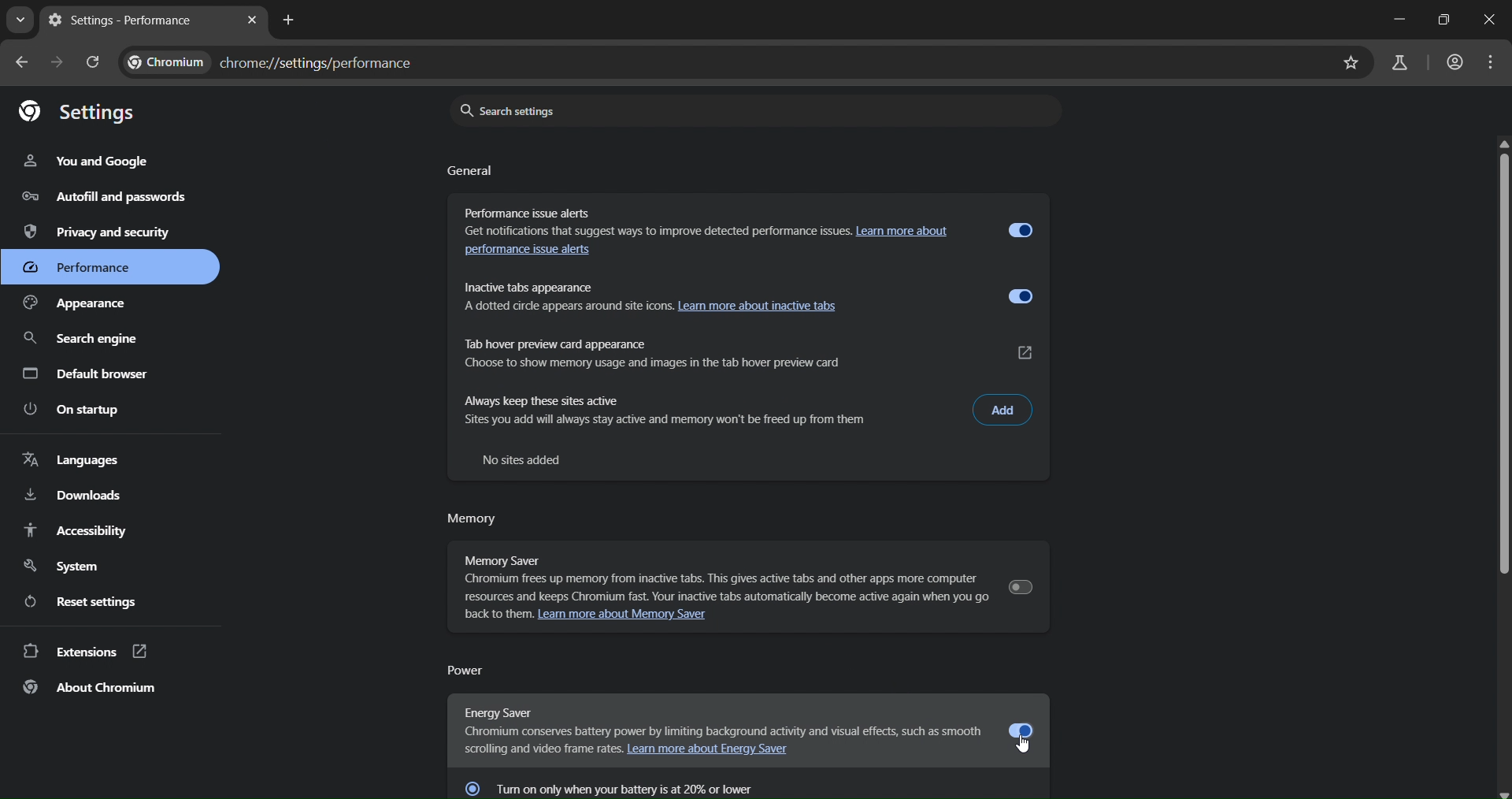 The height and width of the screenshot is (799, 1512). I want to click on search labs, so click(1397, 61).